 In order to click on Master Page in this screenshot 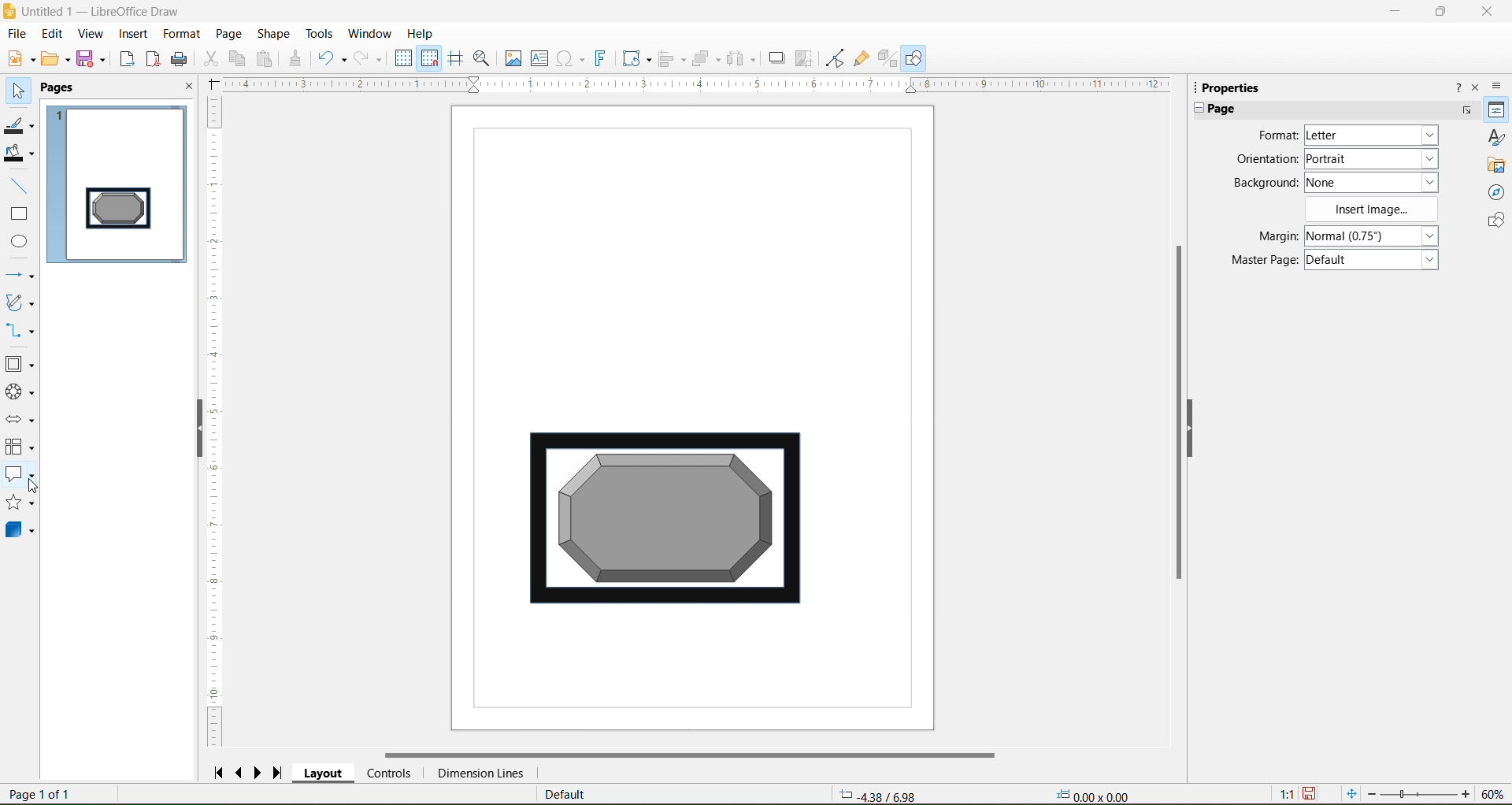, I will do `click(1259, 261)`.